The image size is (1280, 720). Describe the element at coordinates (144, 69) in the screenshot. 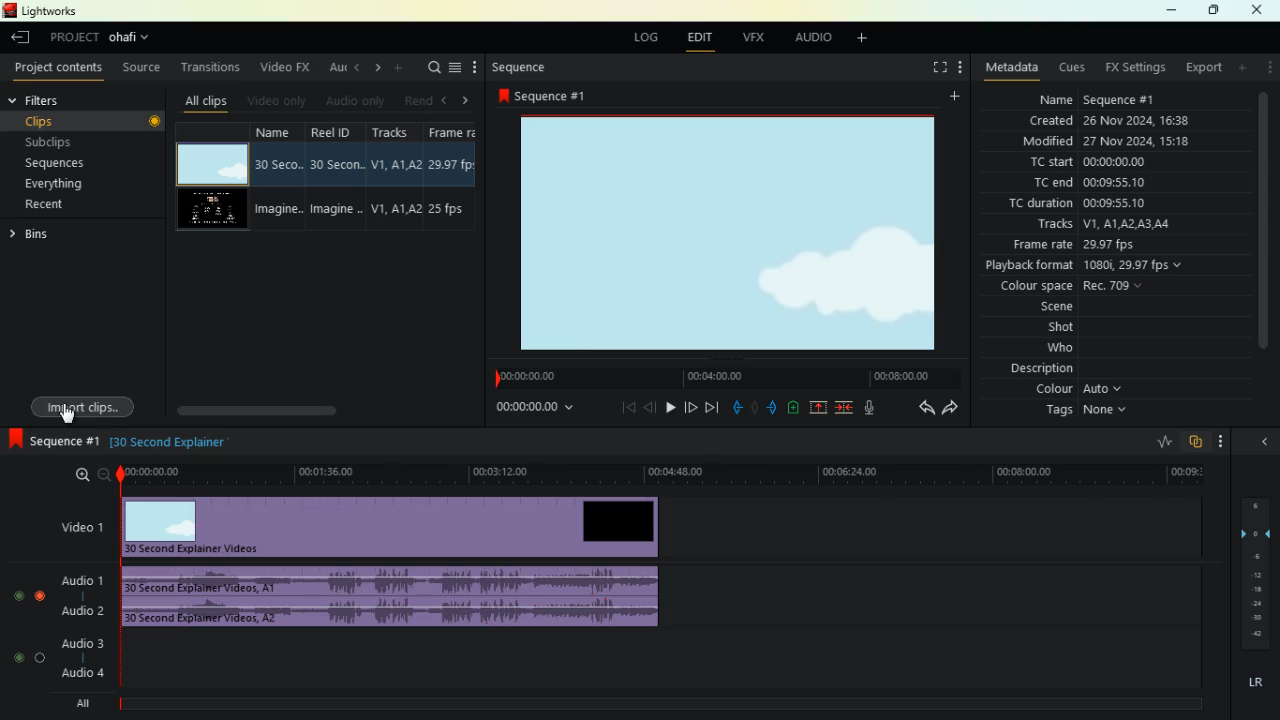

I see `source` at that location.